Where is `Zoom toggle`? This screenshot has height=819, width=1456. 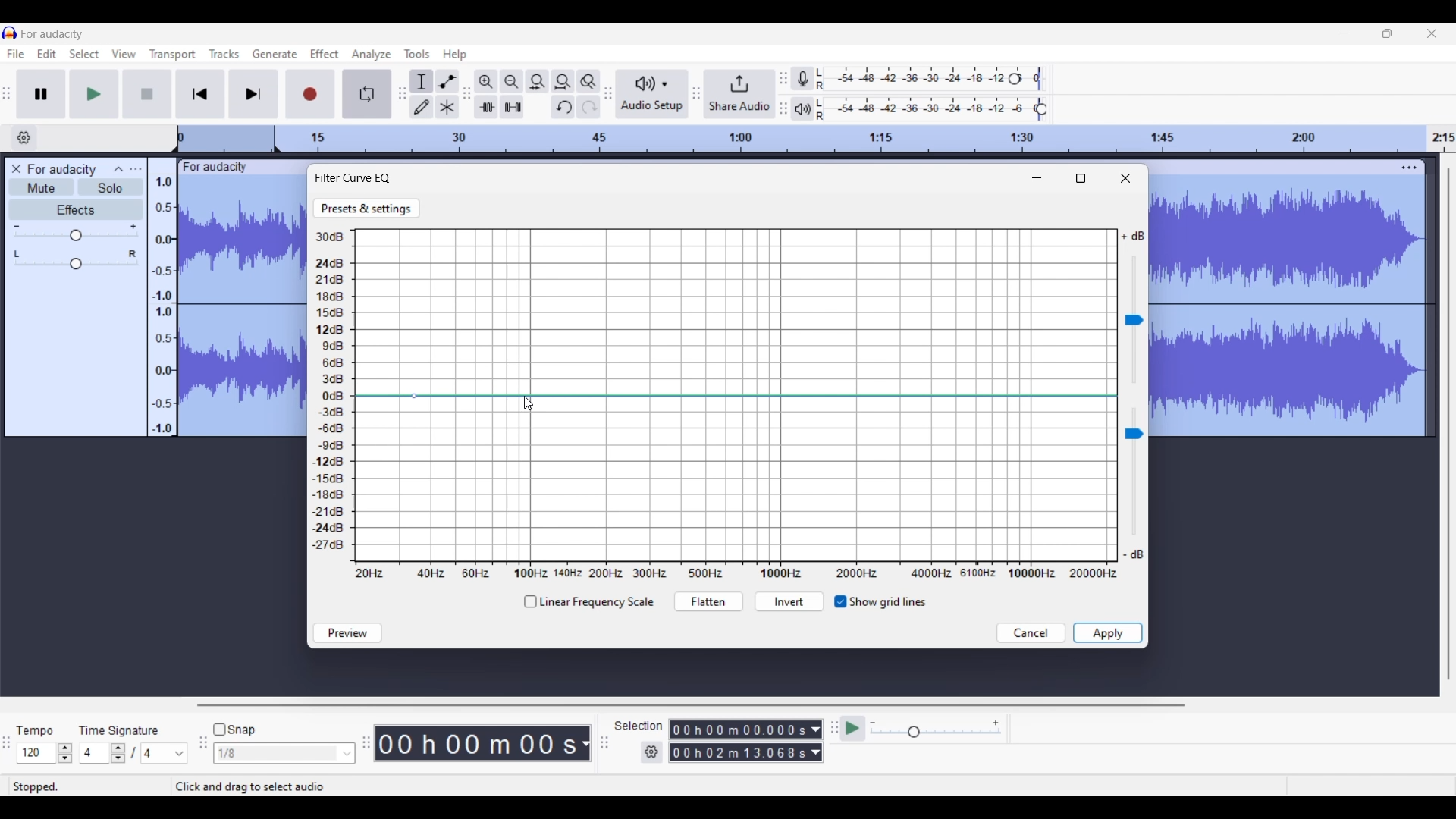
Zoom toggle is located at coordinates (589, 81).